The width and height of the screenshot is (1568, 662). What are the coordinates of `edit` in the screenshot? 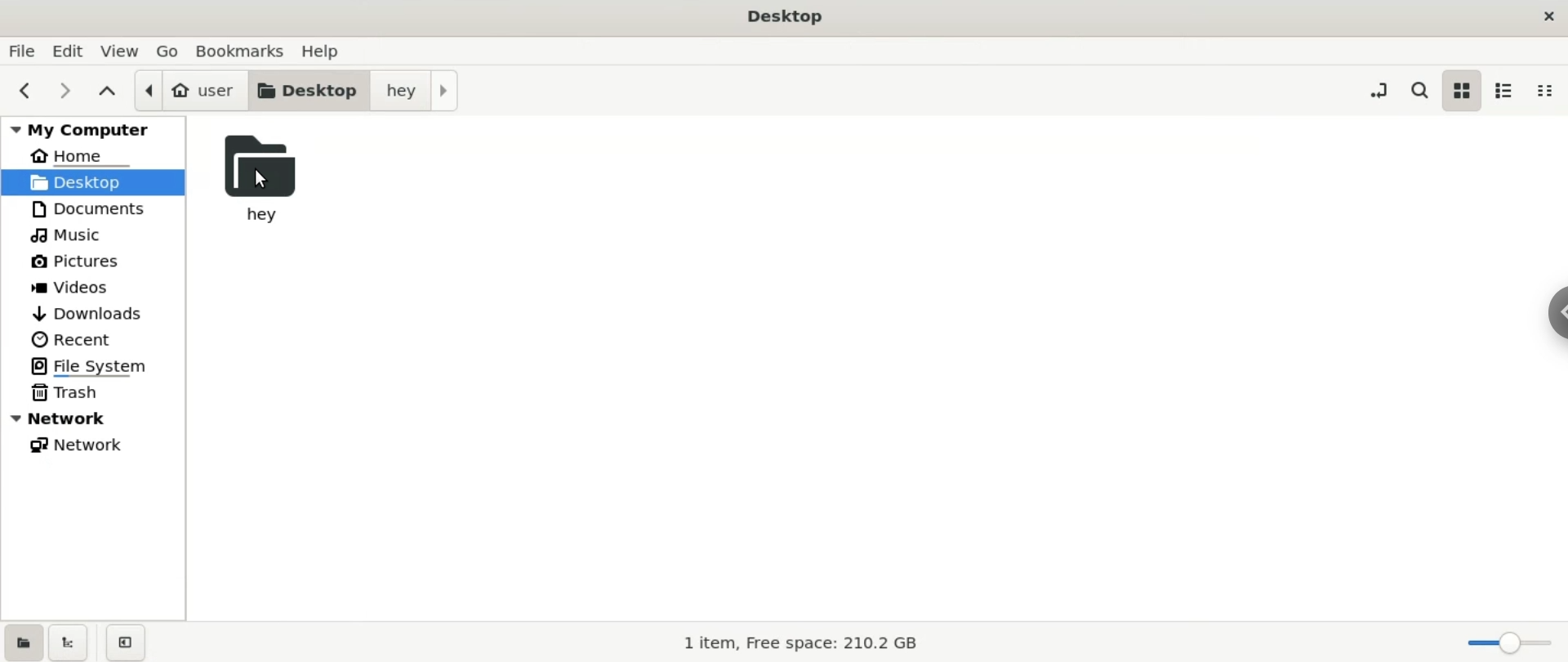 It's located at (69, 50).